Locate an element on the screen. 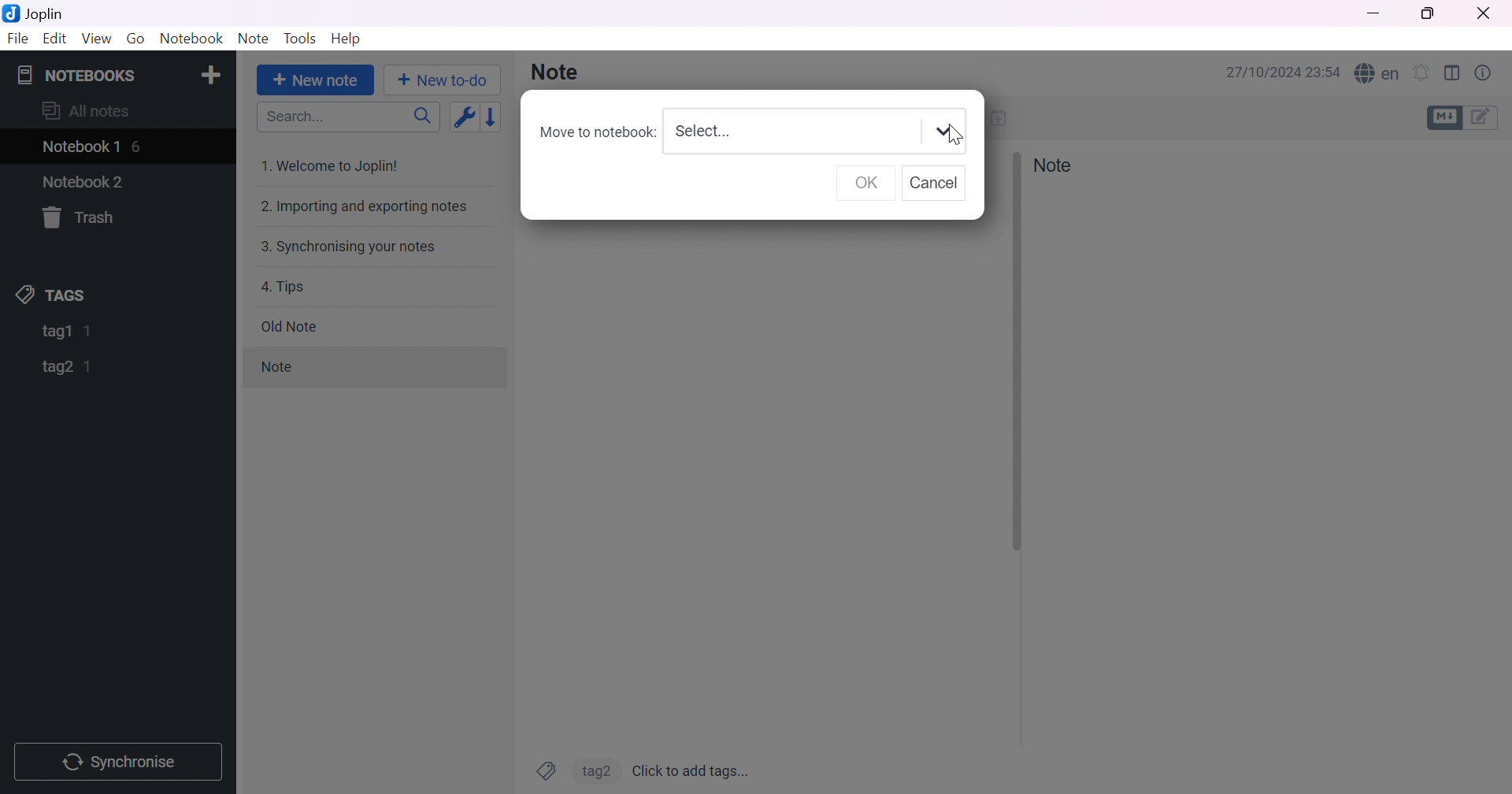 The width and height of the screenshot is (1512, 794). Trash is located at coordinates (83, 217).